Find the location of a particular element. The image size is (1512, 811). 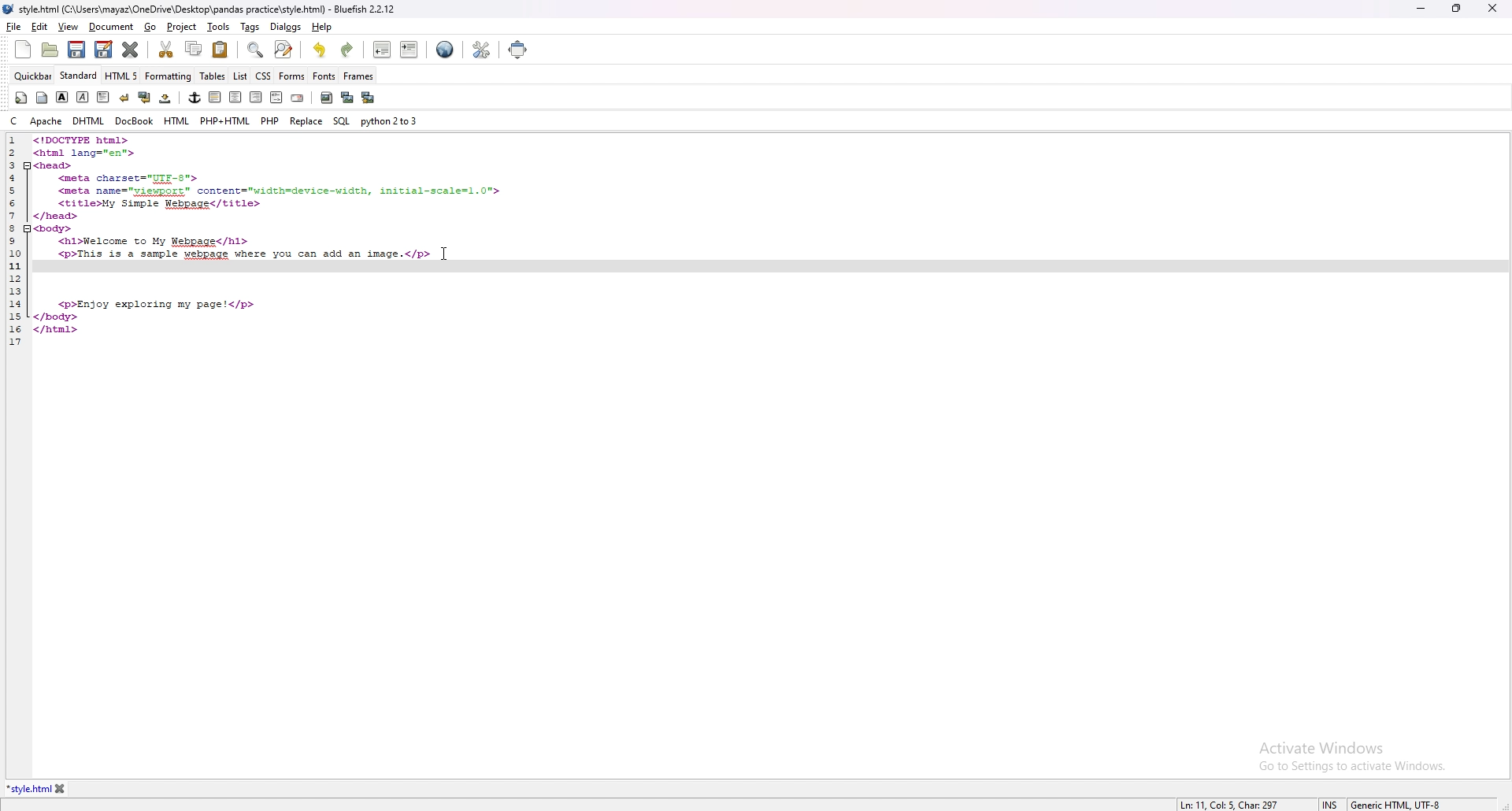

<!DOCTYPE html> is located at coordinates (84, 140).